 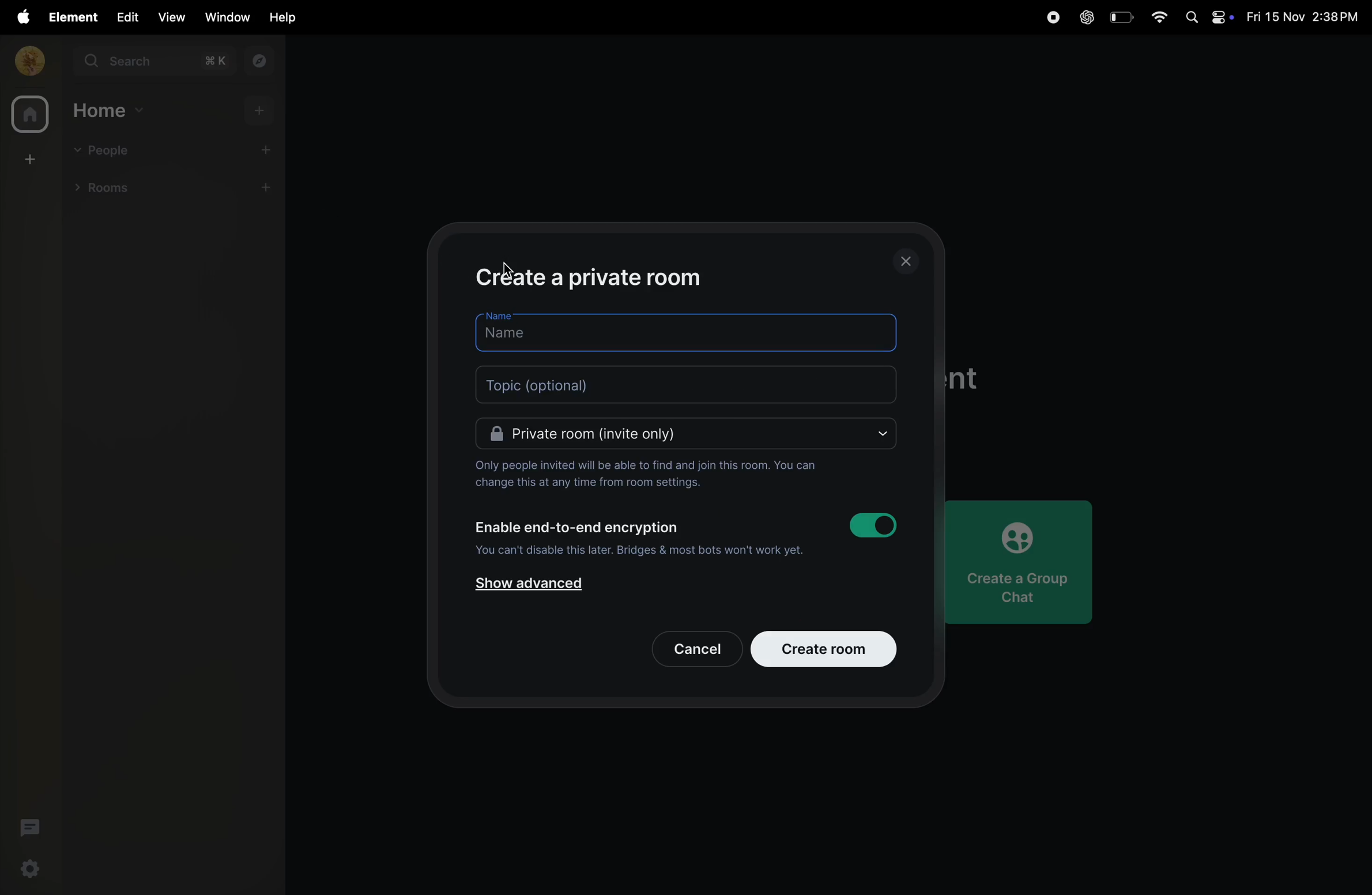 I want to click on threads , so click(x=29, y=826).